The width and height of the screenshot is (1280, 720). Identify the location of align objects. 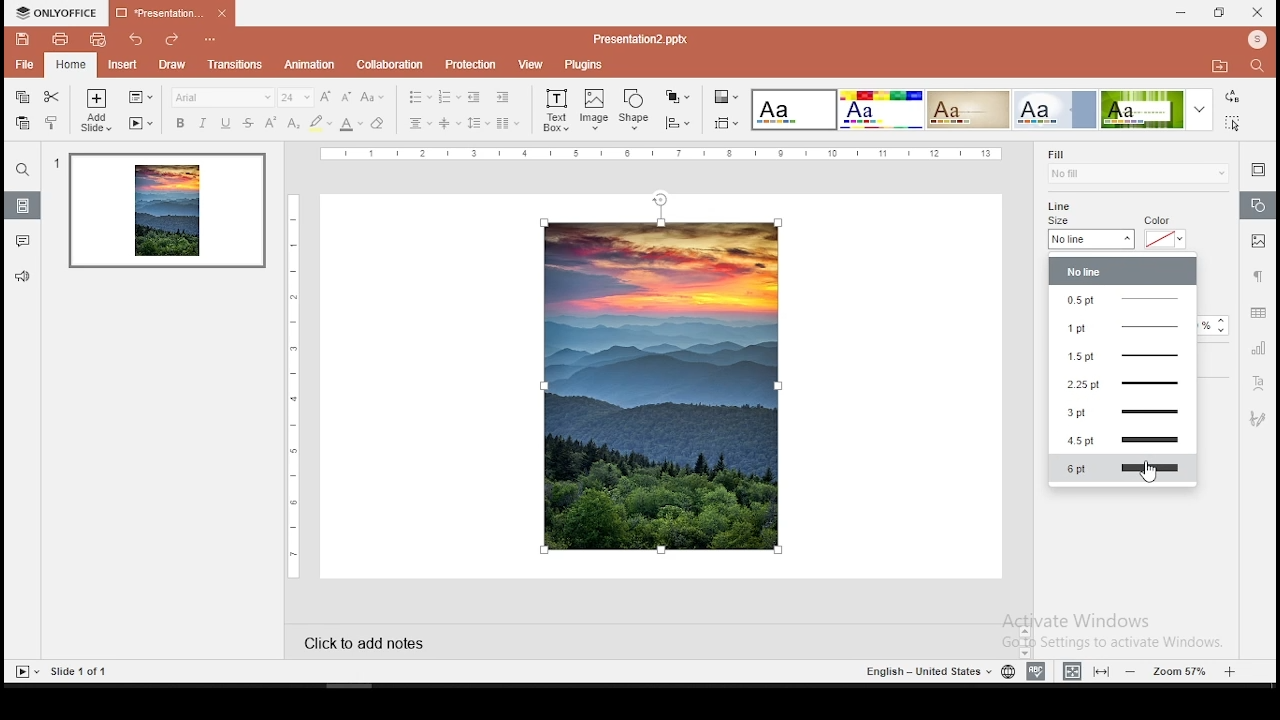
(726, 123).